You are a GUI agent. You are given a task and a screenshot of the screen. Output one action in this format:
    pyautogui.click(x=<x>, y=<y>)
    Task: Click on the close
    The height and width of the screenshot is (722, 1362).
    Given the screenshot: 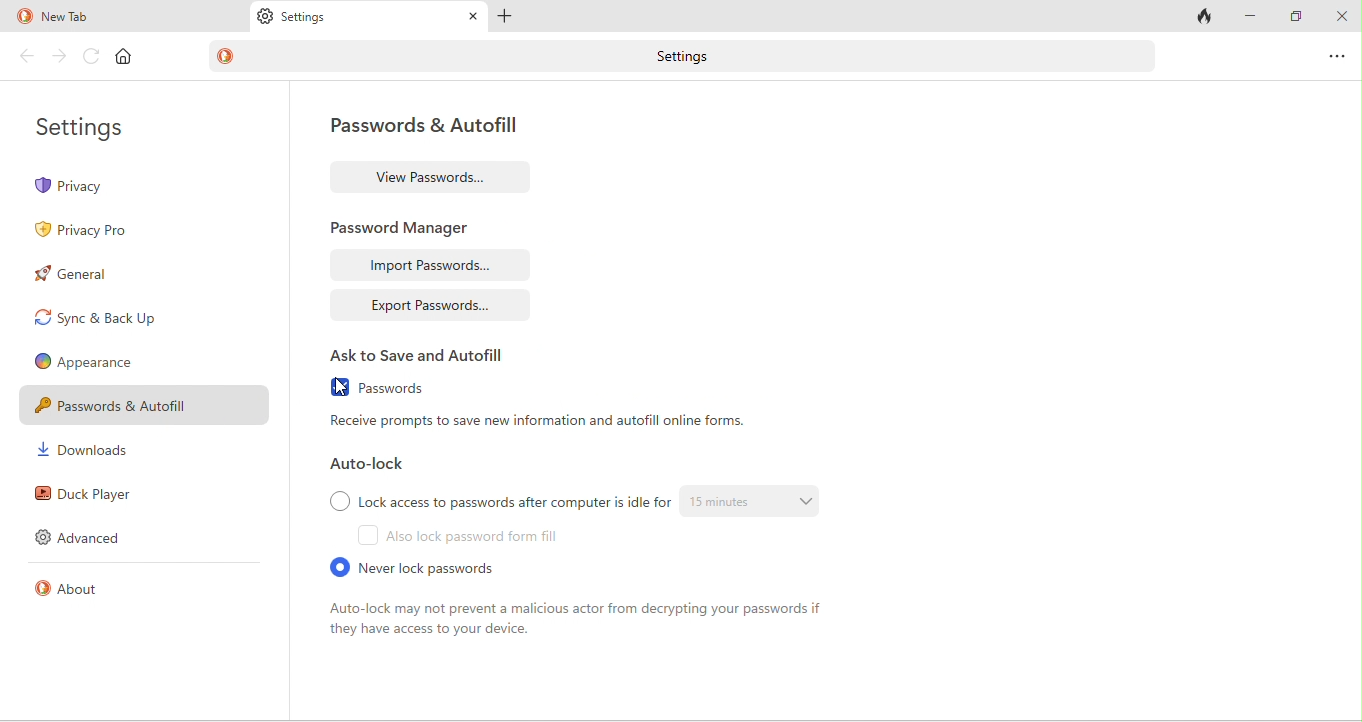 What is the action you would take?
    pyautogui.click(x=470, y=18)
    